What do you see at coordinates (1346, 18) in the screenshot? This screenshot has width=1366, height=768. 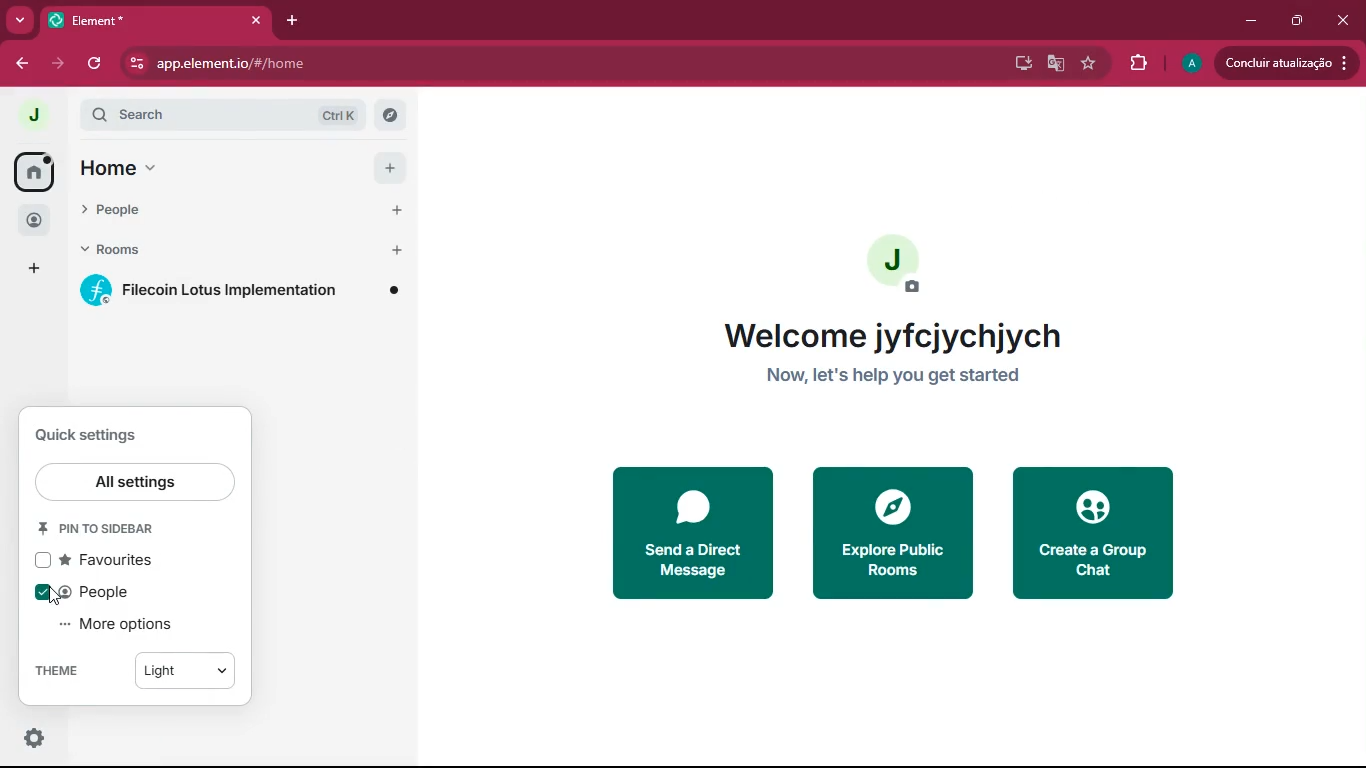 I see `close` at bounding box center [1346, 18].